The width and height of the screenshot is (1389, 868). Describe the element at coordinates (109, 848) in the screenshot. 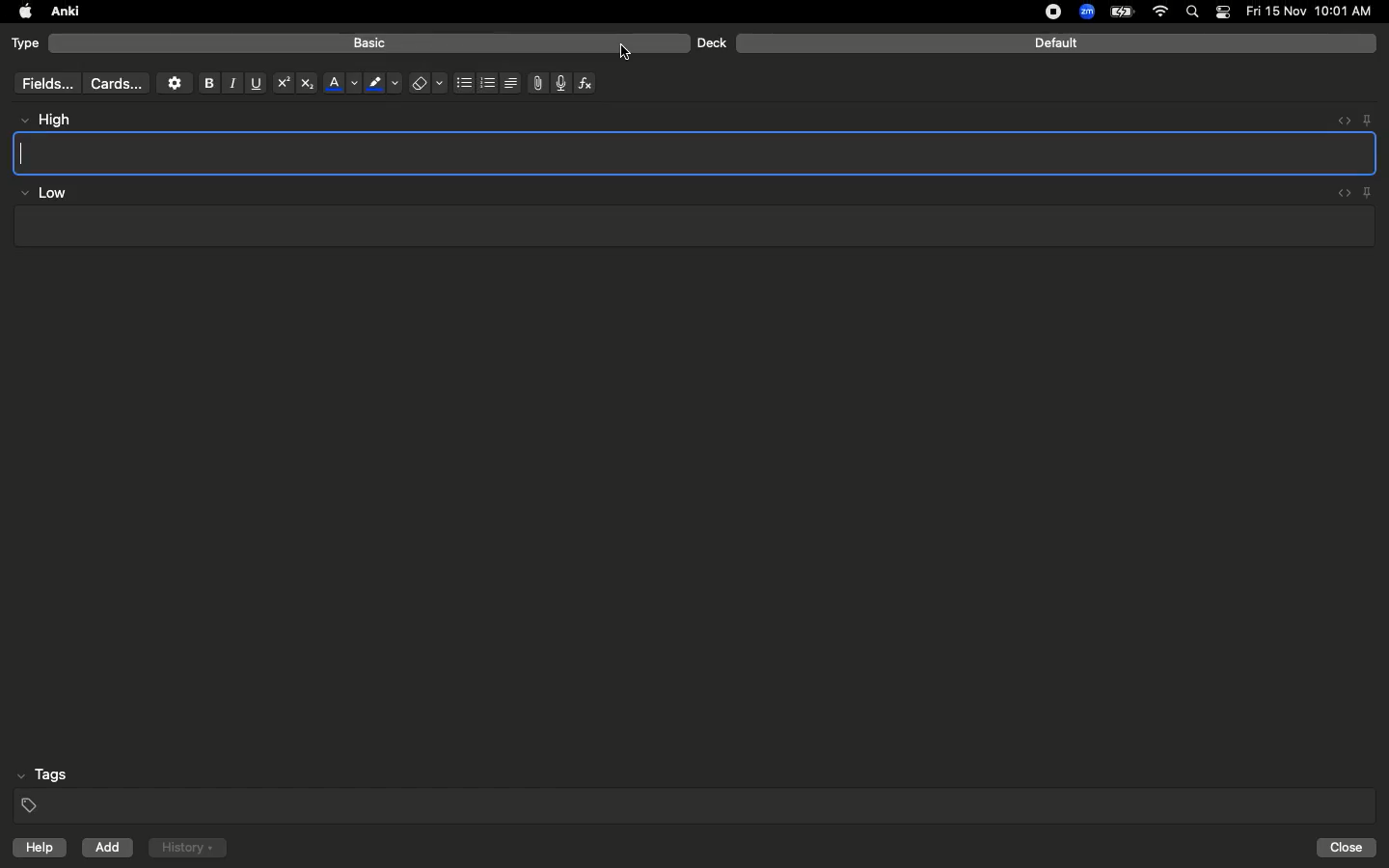

I see `Add` at that location.